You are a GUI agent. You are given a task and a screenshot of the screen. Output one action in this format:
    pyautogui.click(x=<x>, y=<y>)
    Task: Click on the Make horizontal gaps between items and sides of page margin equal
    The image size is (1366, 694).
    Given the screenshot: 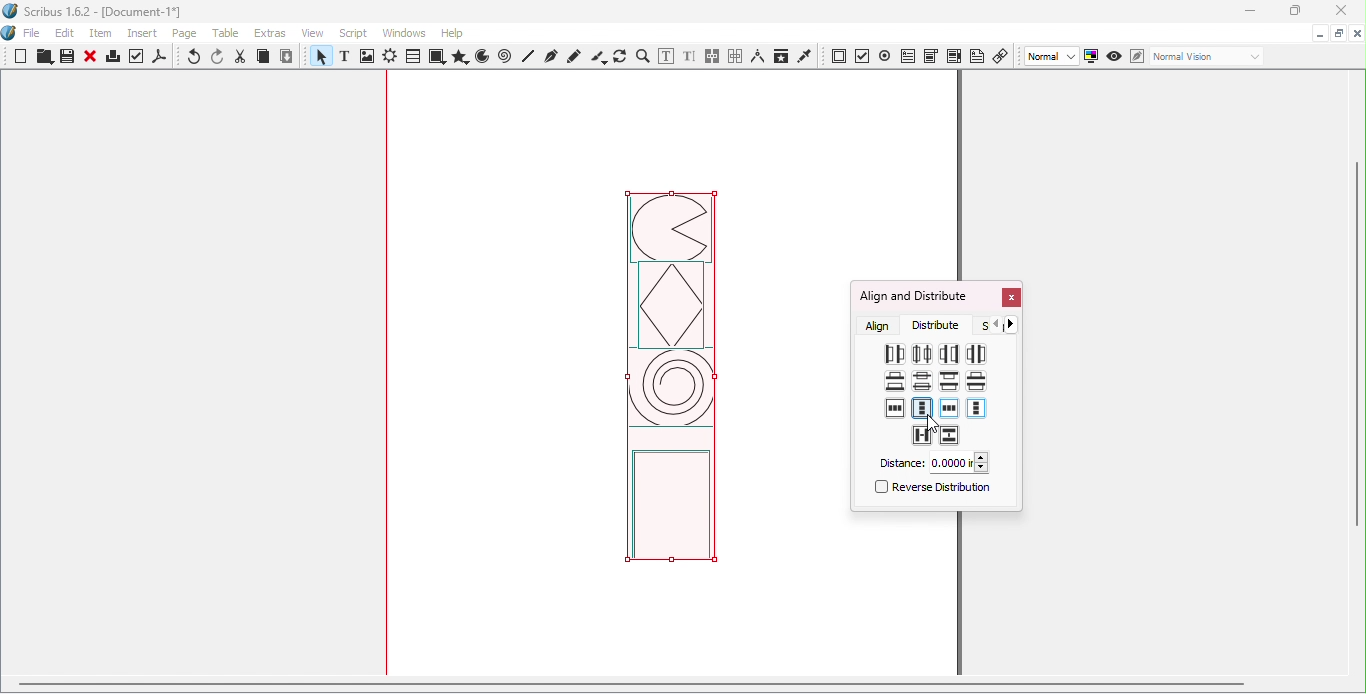 What is the action you would take?
    pyautogui.click(x=949, y=410)
    